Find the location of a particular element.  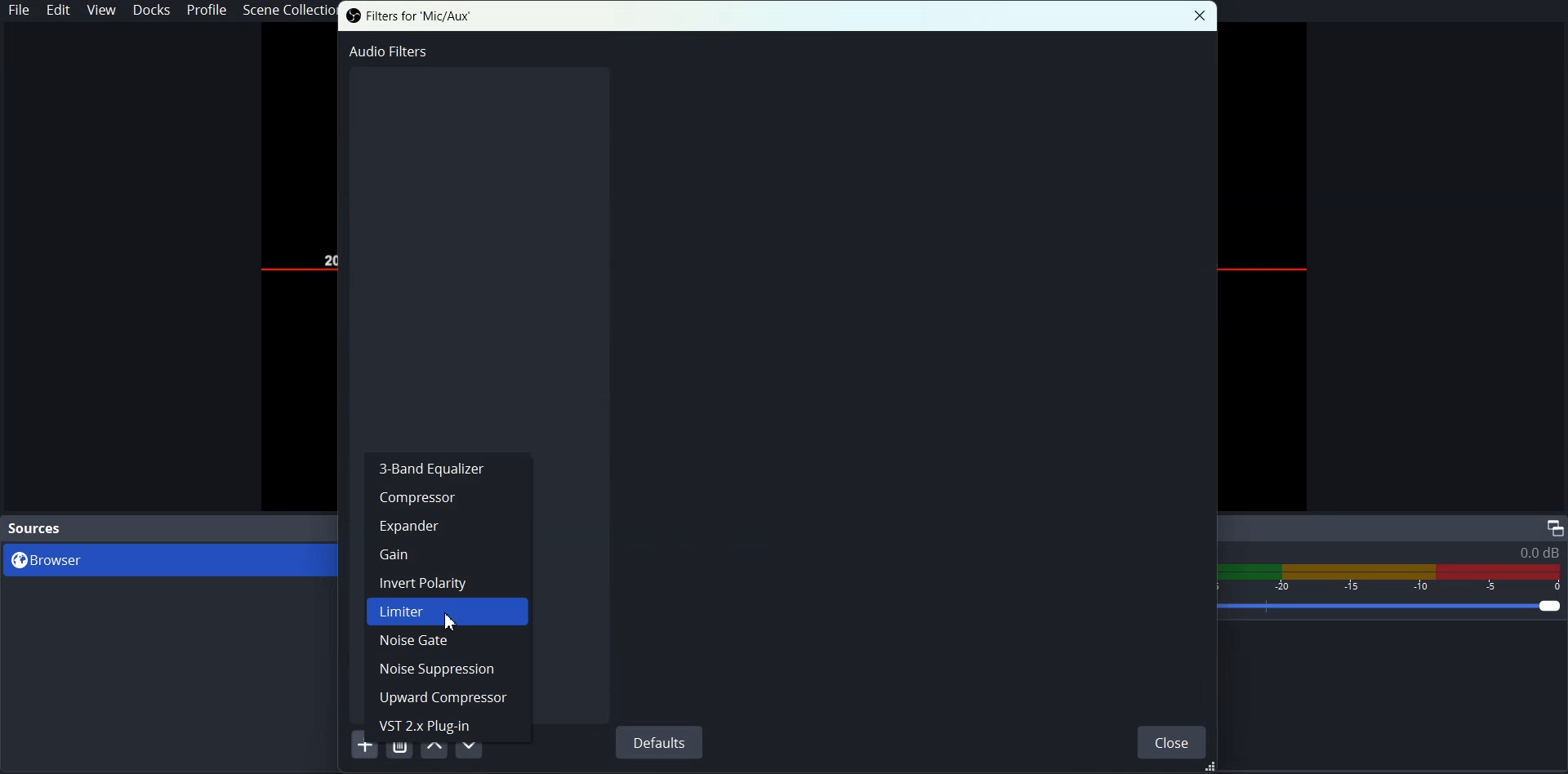

0.0 db is located at coordinates (1539, 553).